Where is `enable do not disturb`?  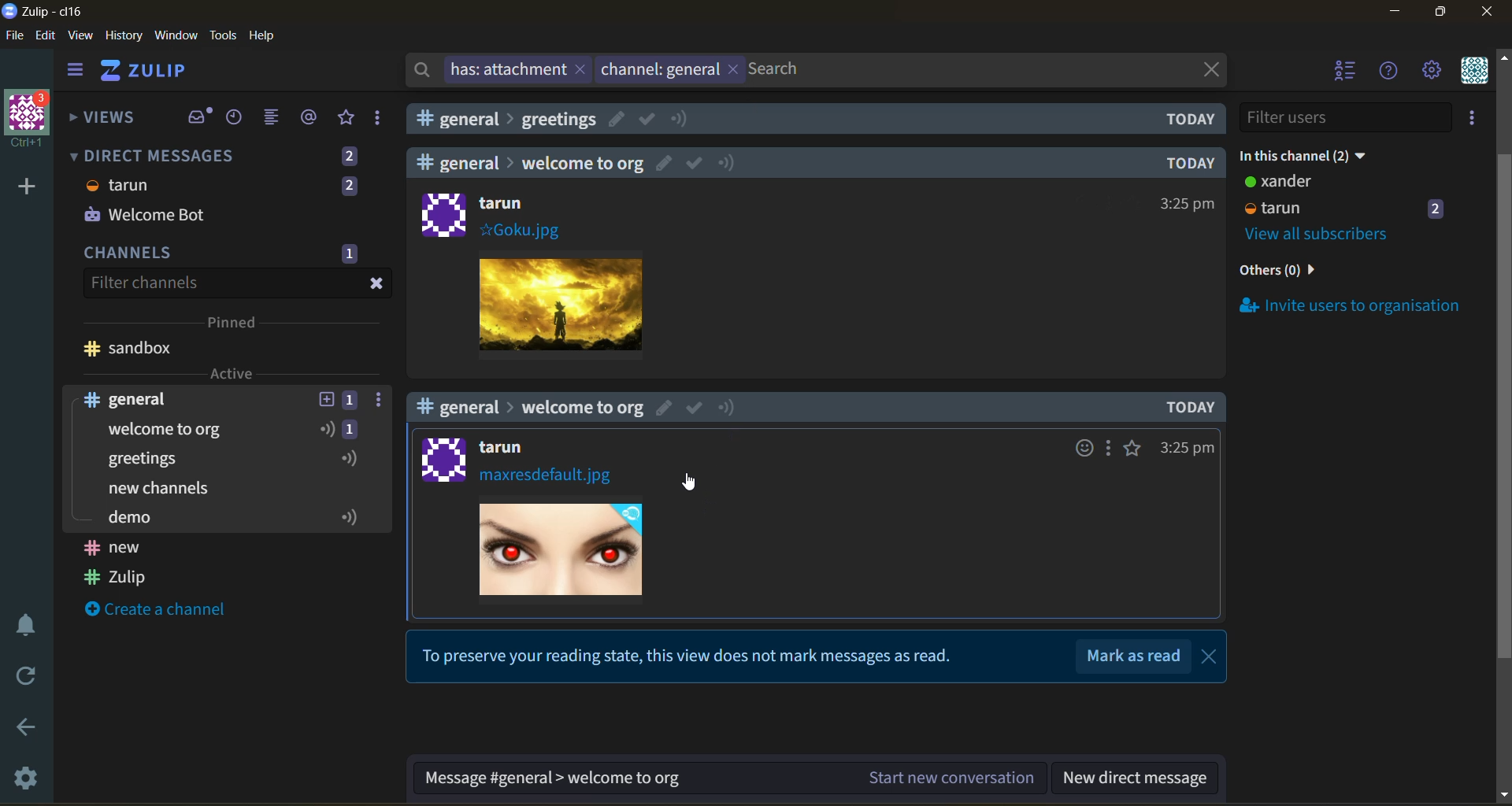
enable do not disturb is located at coordinates (31, 623).